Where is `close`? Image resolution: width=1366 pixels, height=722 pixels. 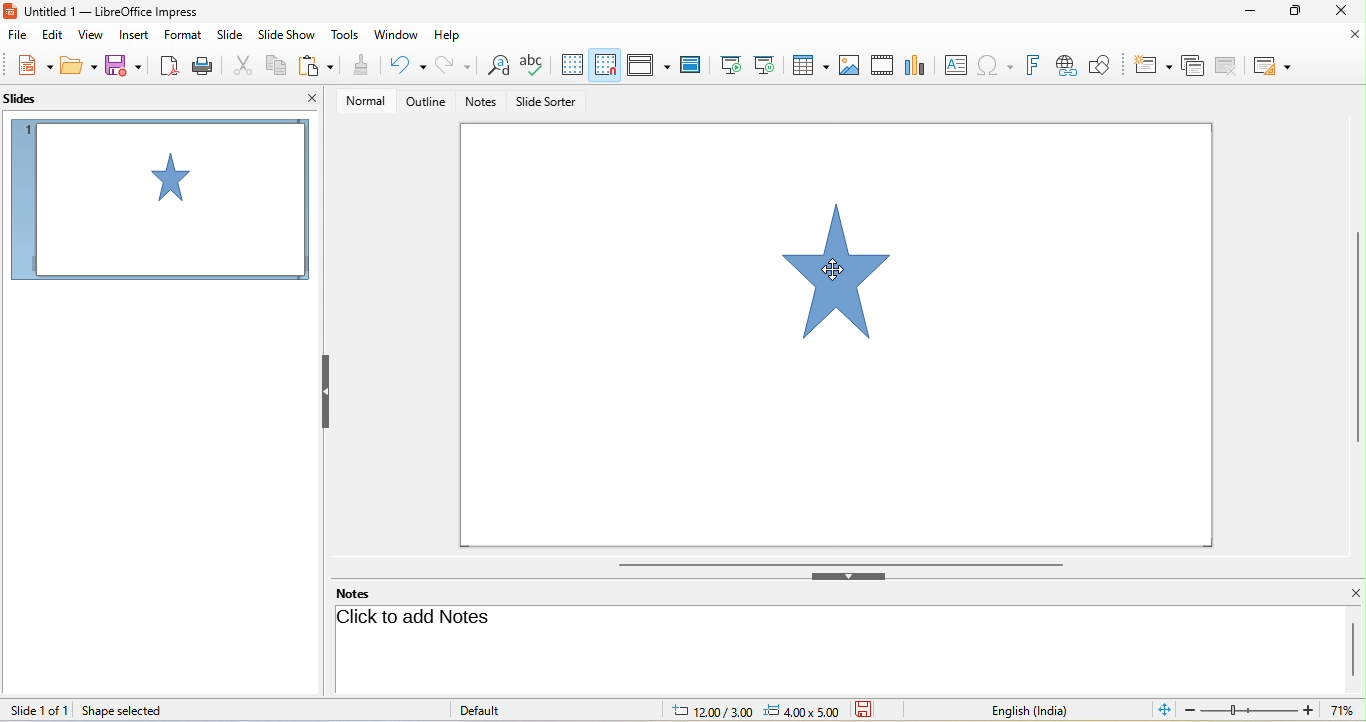 close is located at coordinates (1345, 593).